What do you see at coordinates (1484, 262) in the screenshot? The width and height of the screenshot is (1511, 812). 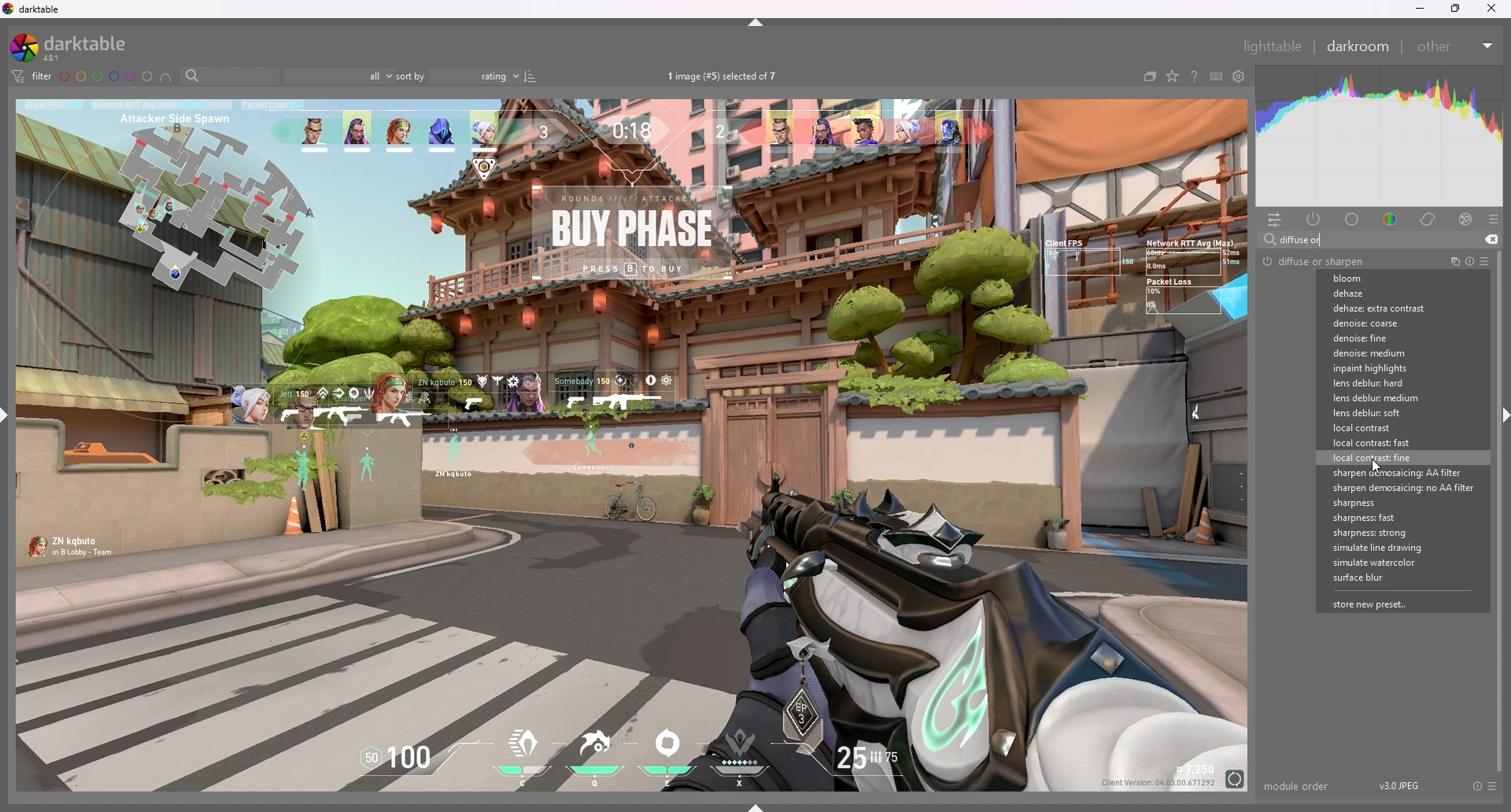 I see `presets` at bounding box center [1484, 262].